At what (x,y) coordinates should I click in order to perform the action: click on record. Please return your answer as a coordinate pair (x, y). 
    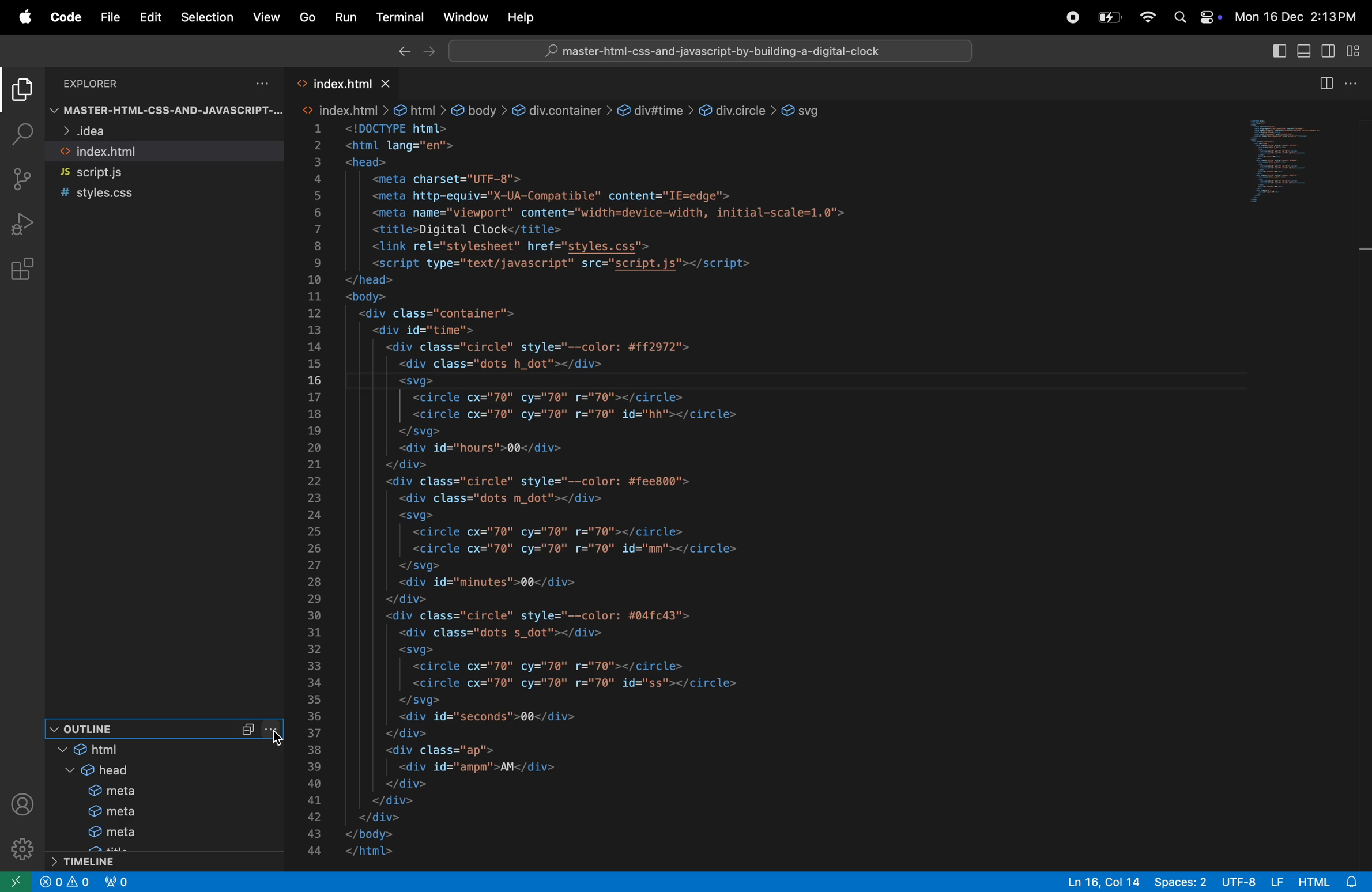
    Looking at the image, I should click on (1068, 17).